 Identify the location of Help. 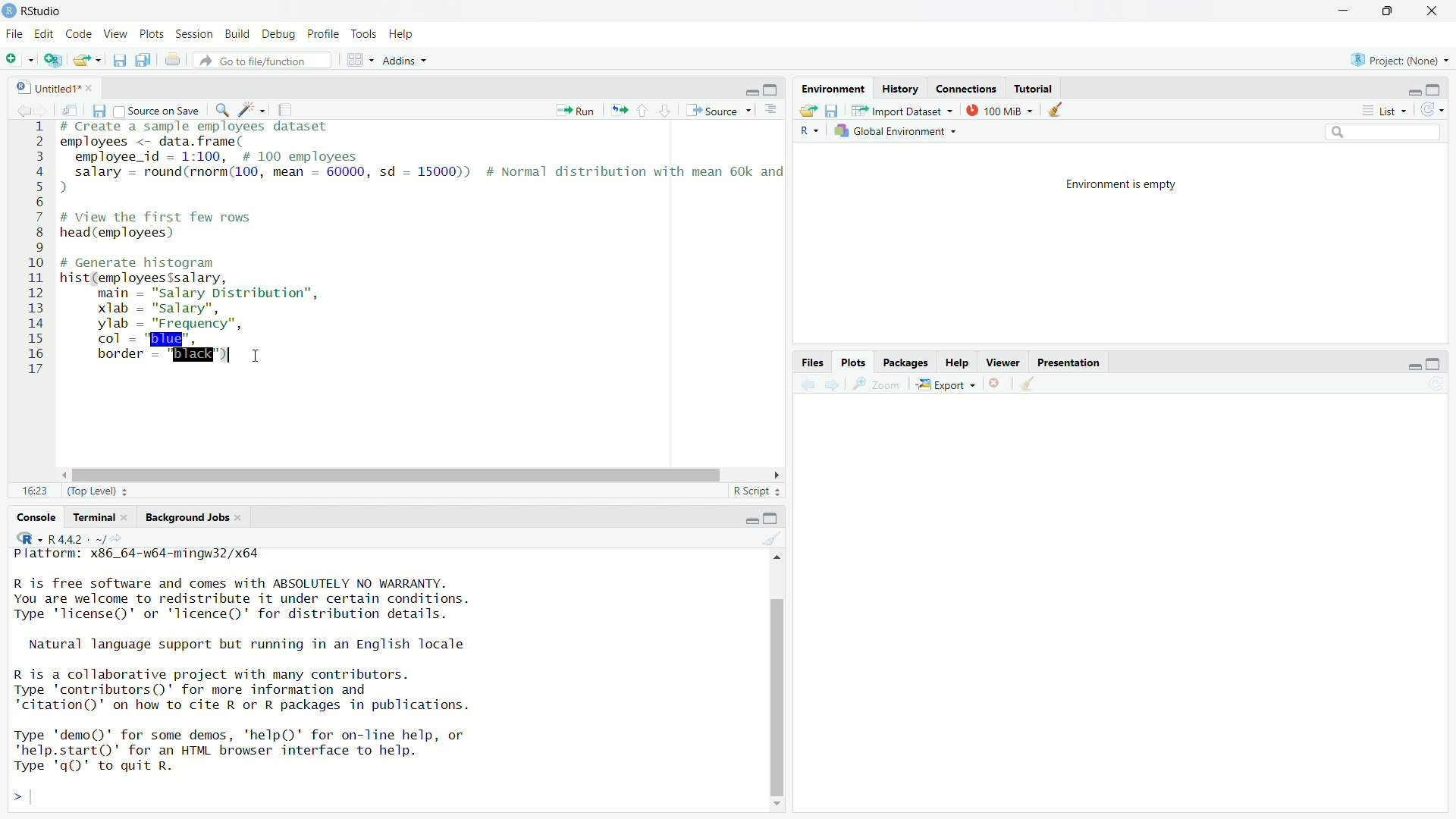
(959, 362).